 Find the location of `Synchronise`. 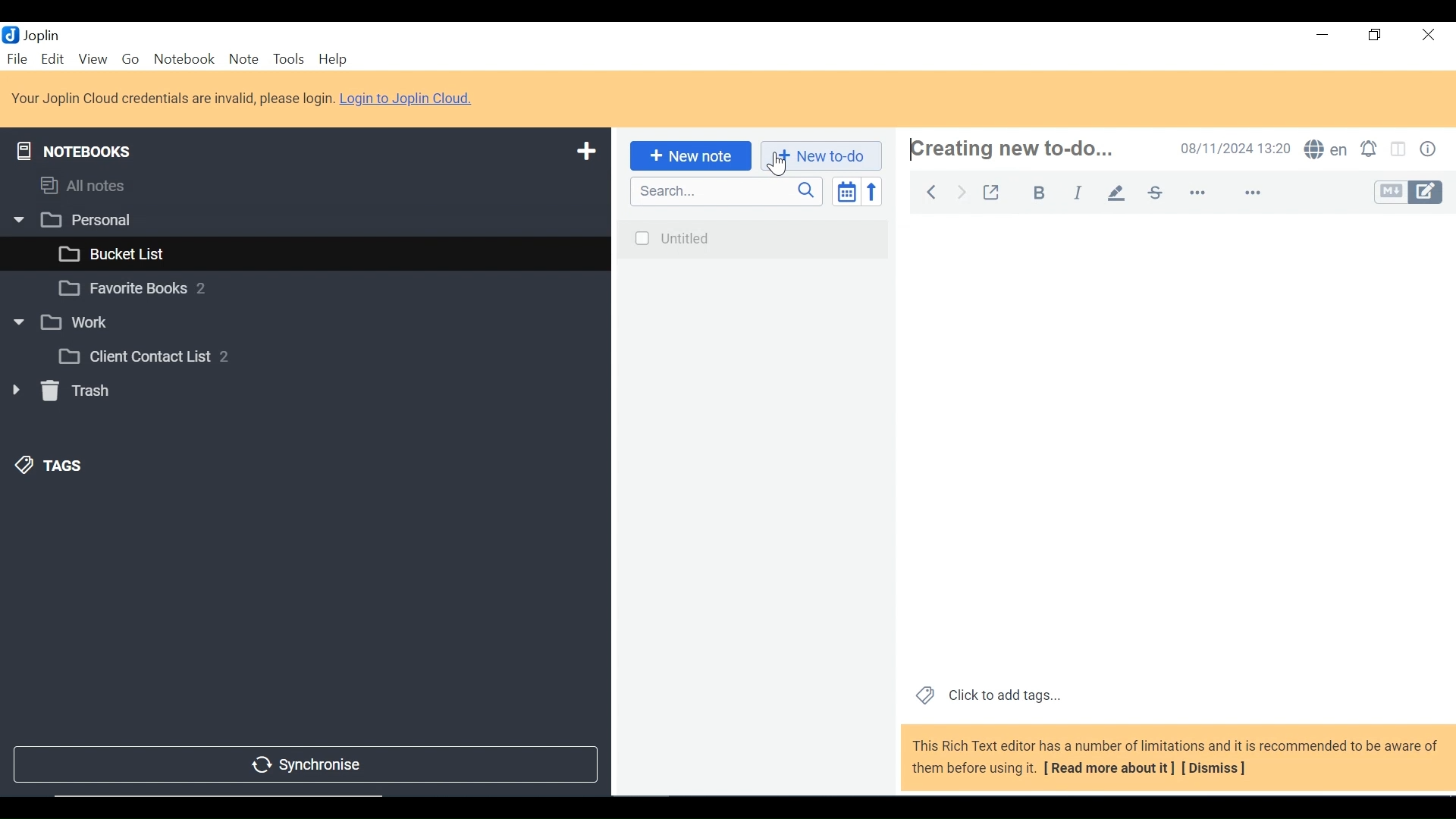

Synchronise is located at coordinates (303, 766).